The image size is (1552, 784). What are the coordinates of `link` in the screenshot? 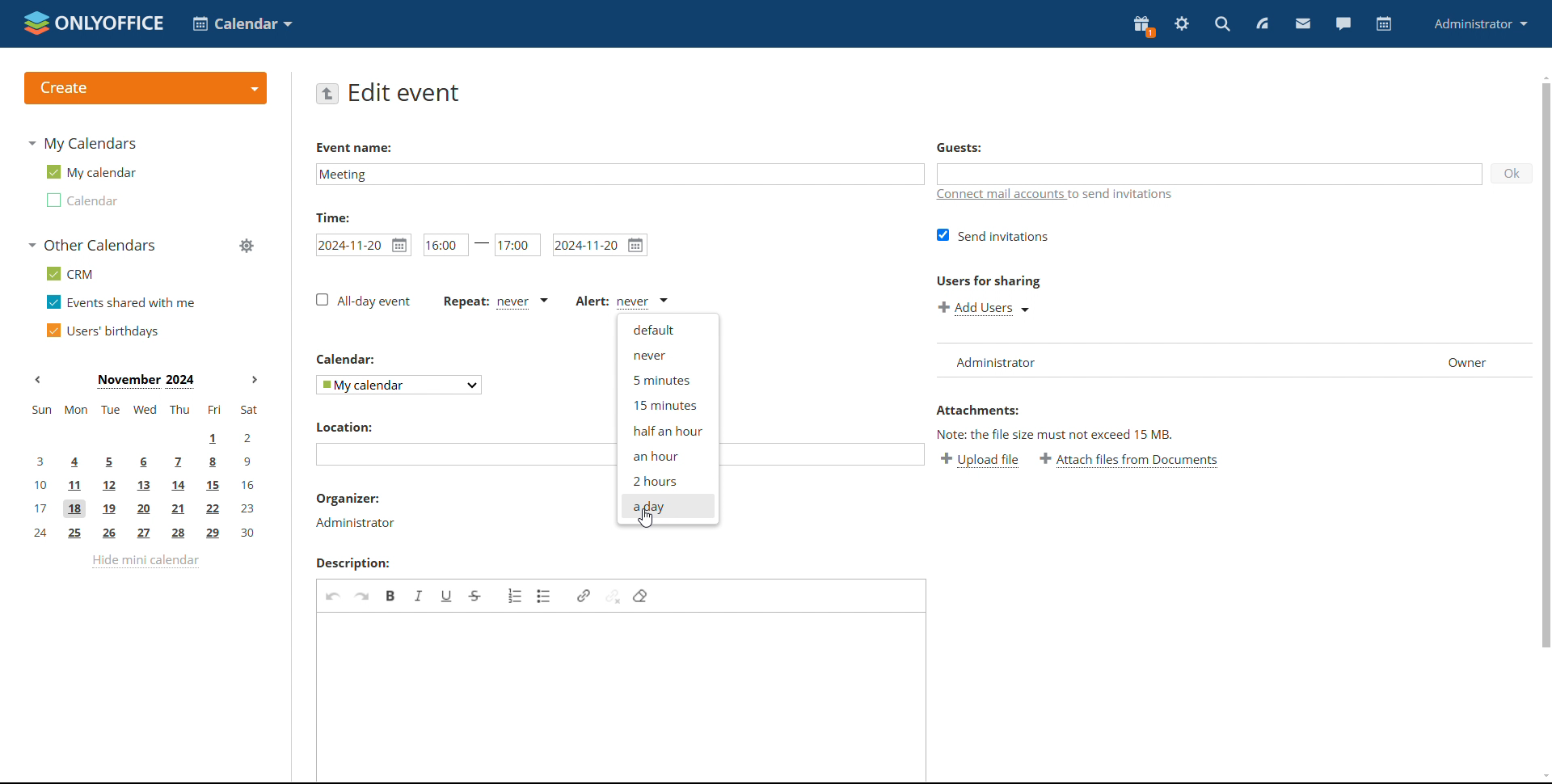 It's located at (584, 596).